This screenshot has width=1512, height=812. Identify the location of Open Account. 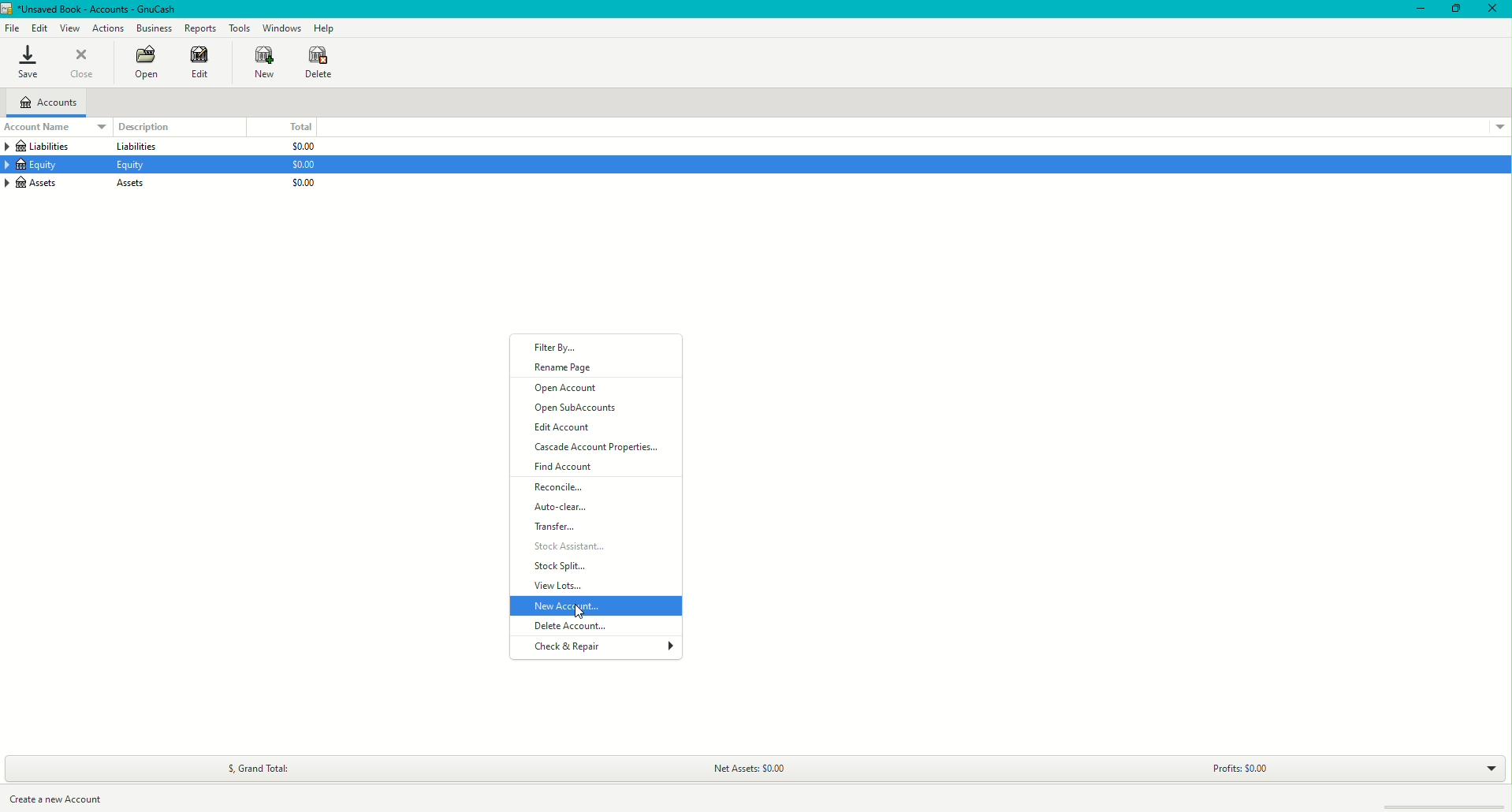
(572, 389).